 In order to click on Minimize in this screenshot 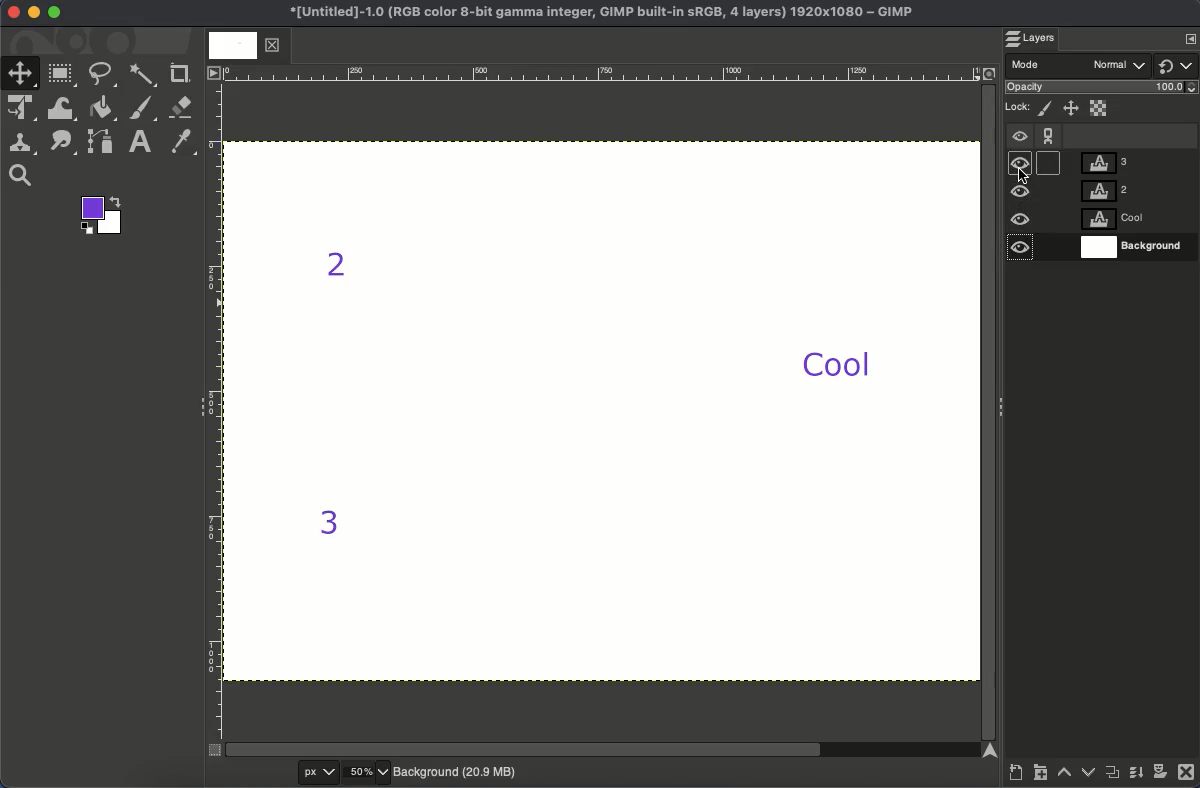, I will do `click(34, 12)`.